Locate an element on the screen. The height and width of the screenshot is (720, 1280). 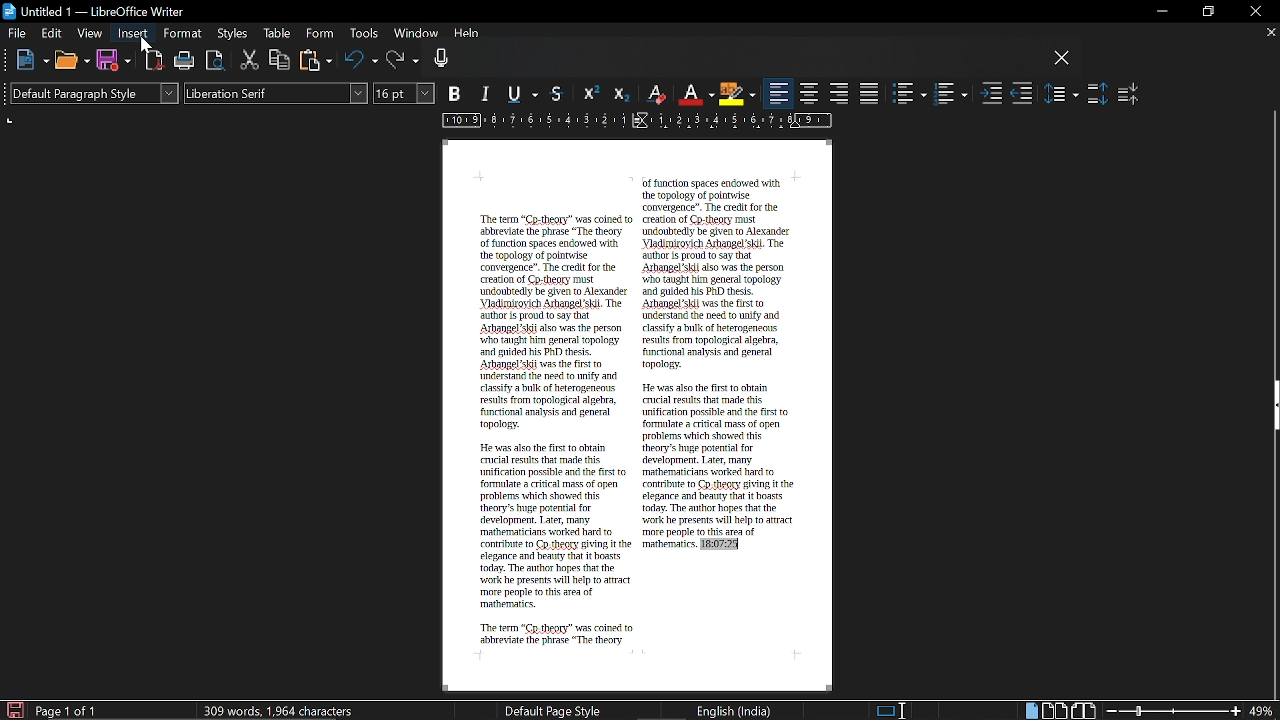
Current zoom is located at coordinates (1263, 711).